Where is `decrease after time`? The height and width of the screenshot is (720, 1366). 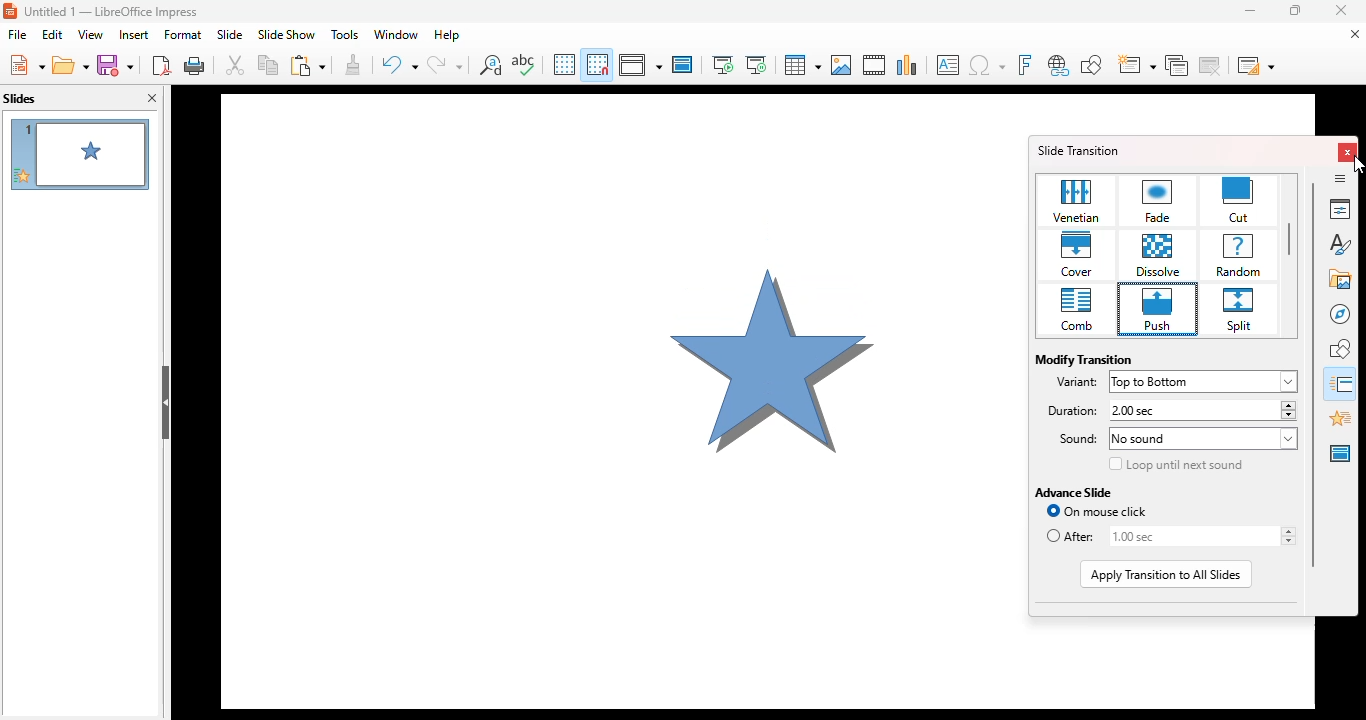 decrease after time is located at coordinates (1287, 542).